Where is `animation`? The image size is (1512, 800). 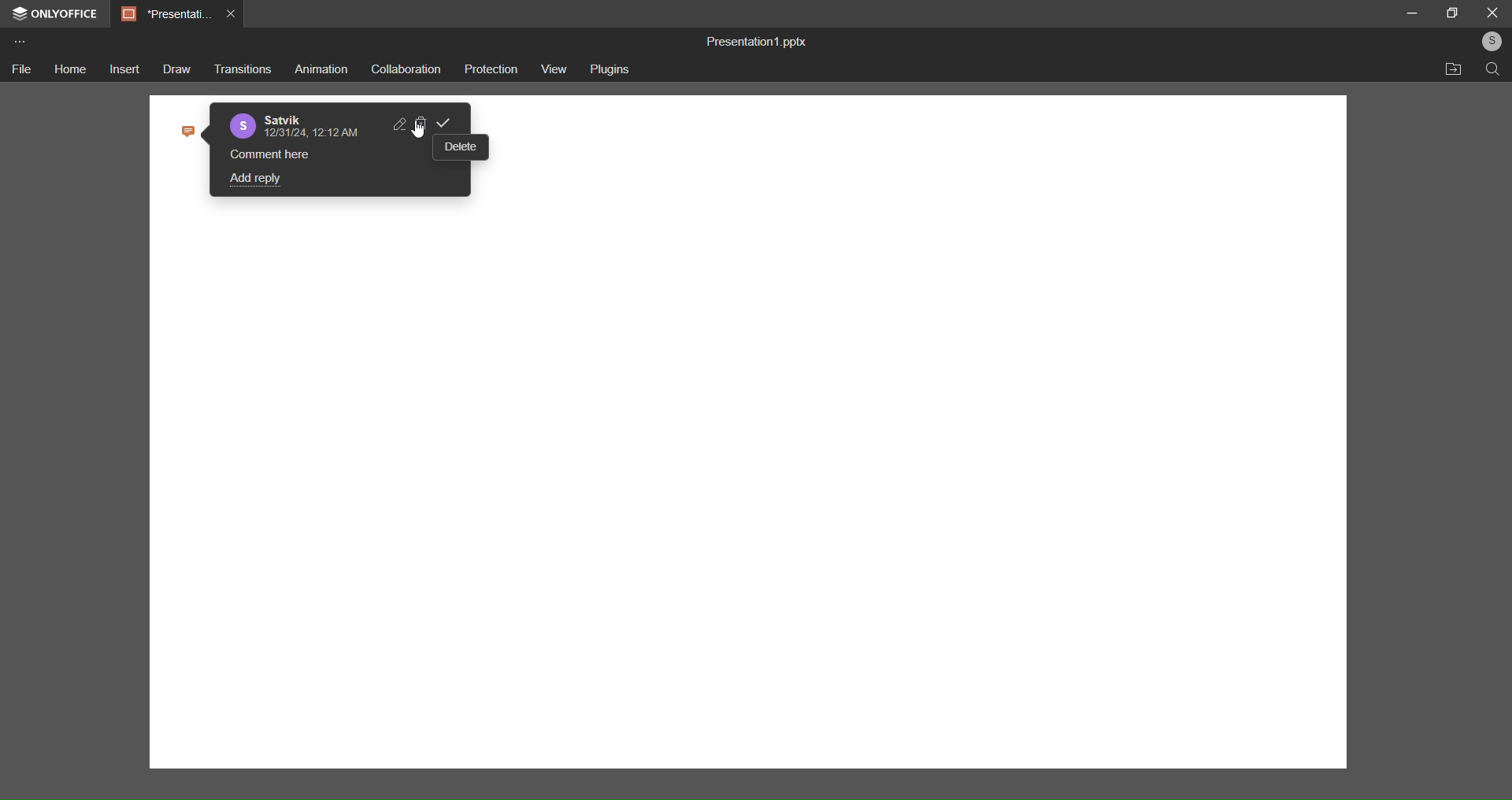
animation is located at coordinates (317, 67).